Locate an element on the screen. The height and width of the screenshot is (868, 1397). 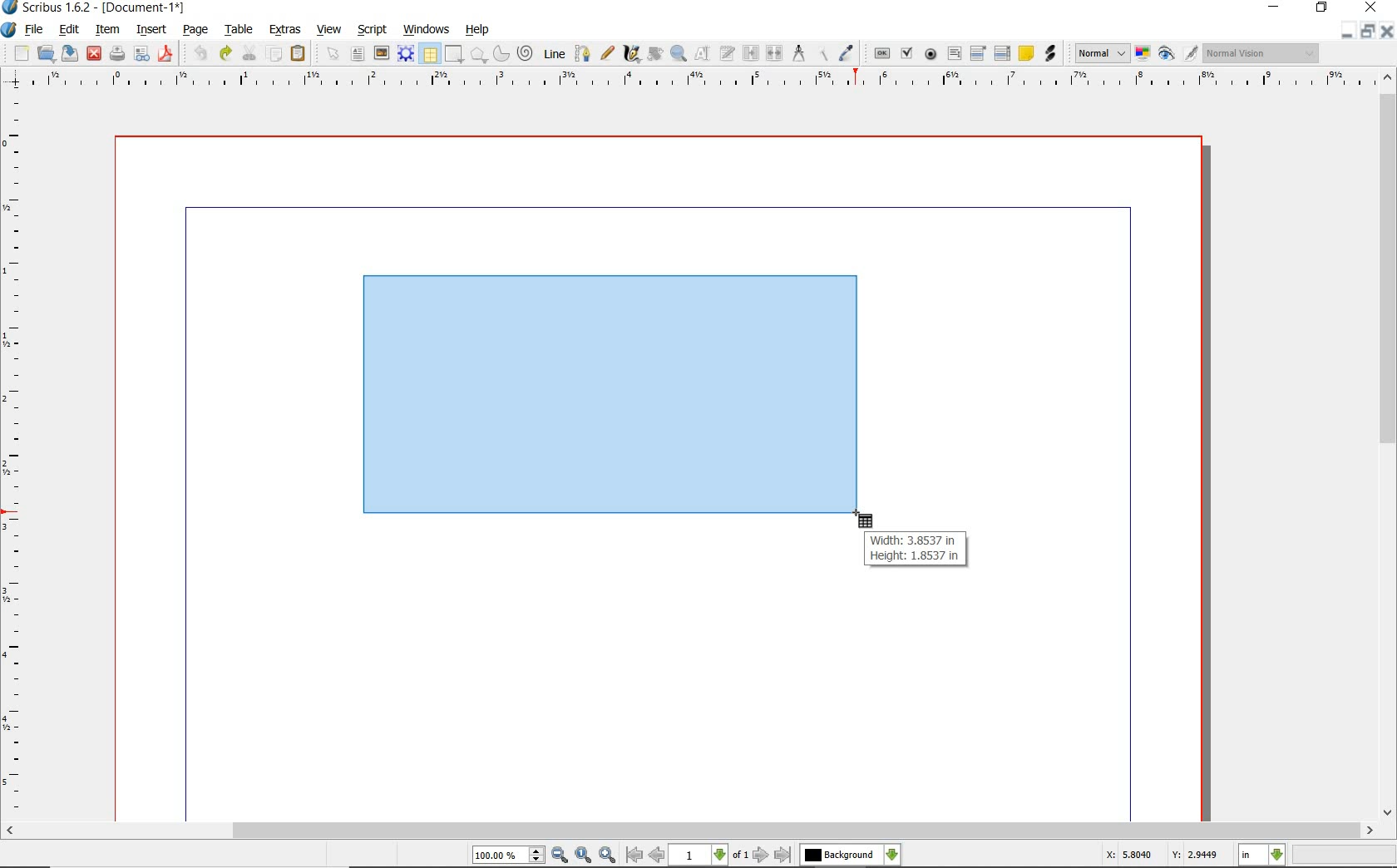
Width: 3.8537 in Height: 1.8537 in is located at coordinates (916, 548).